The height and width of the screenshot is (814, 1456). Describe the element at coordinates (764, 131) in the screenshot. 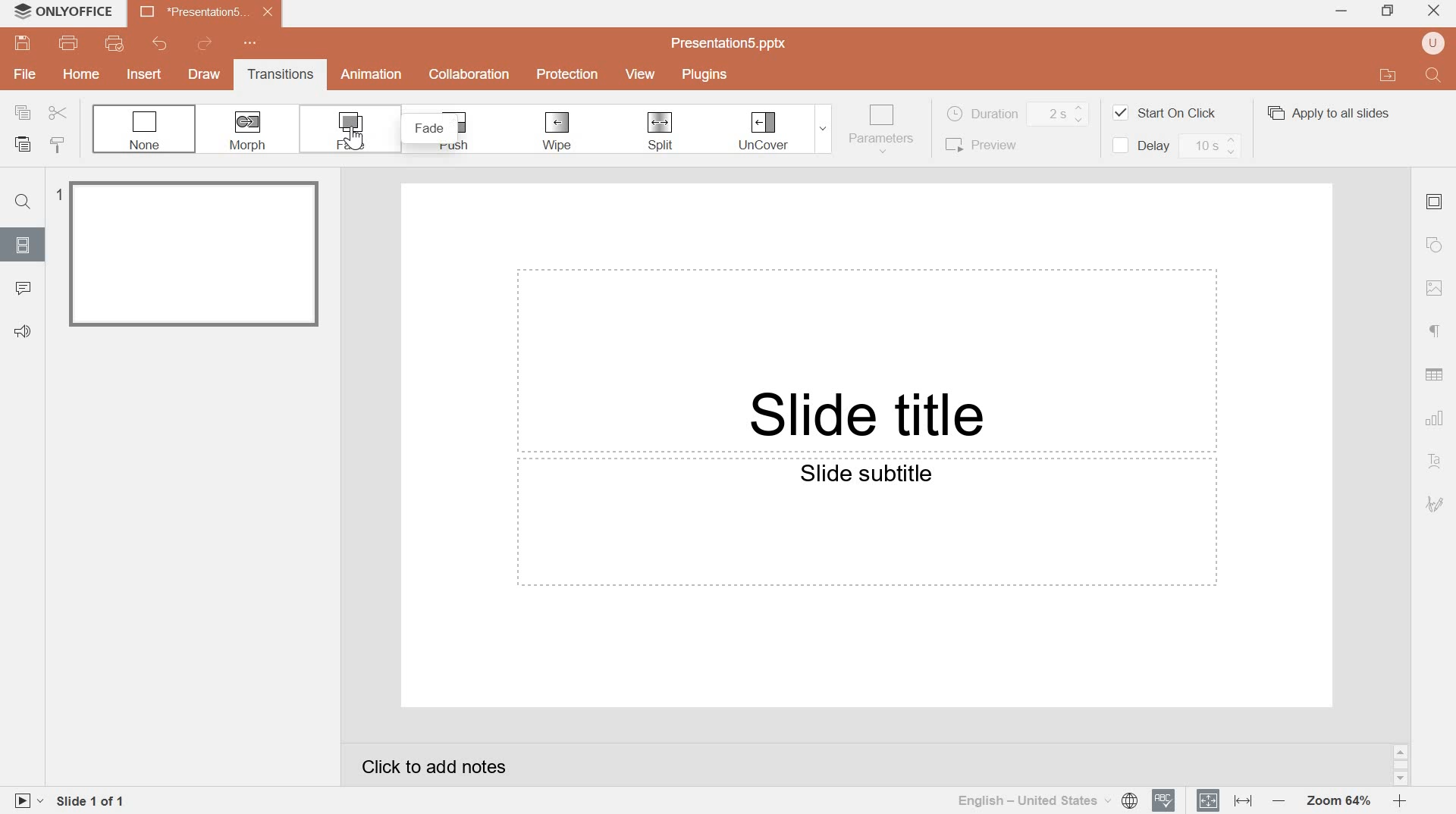

I see `Uncover` at that location.